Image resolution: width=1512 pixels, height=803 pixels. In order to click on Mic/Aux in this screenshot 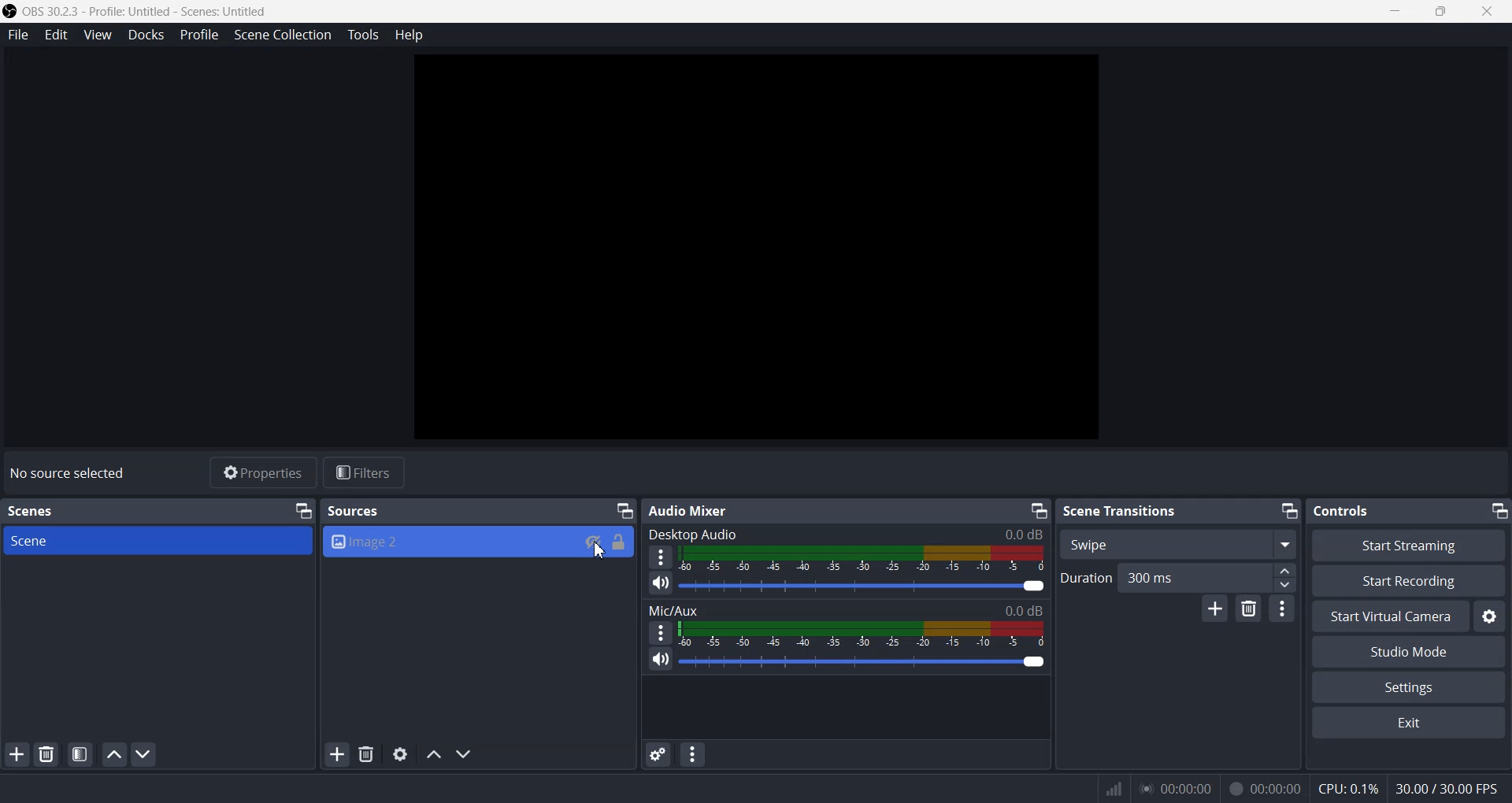, I will do `click(843, 609)`.